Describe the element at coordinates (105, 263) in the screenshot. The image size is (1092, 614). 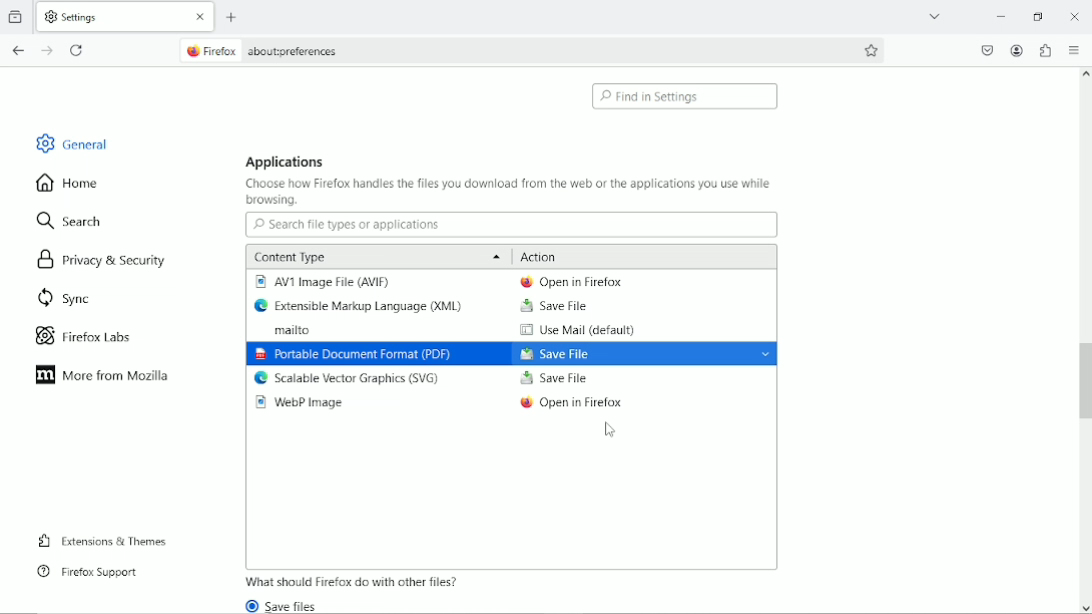
I see `Privacy & security` at that location.